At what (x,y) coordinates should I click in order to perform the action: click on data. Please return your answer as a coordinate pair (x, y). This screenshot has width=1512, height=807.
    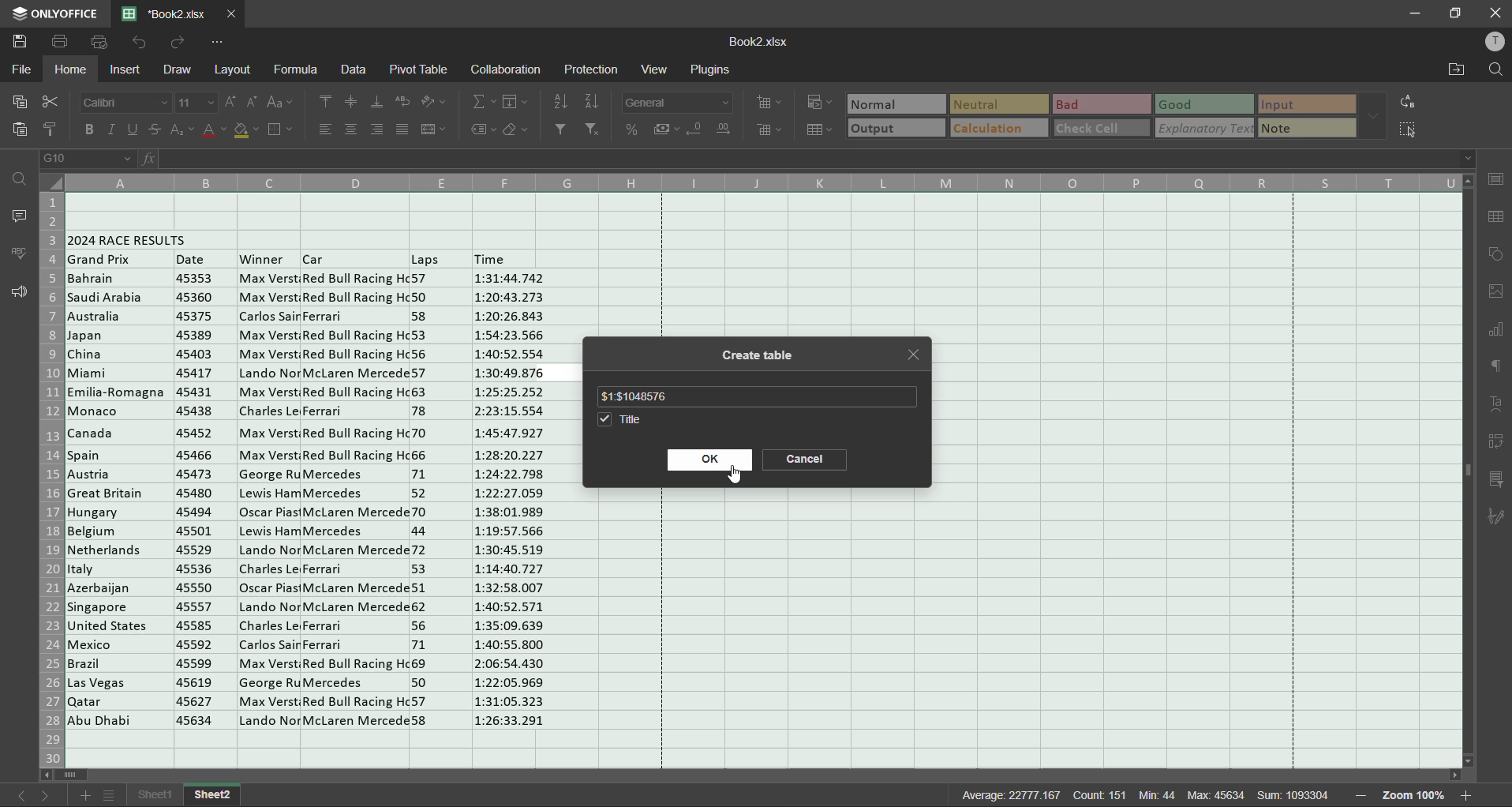
    Looking at the image, I should click on (352, 72).